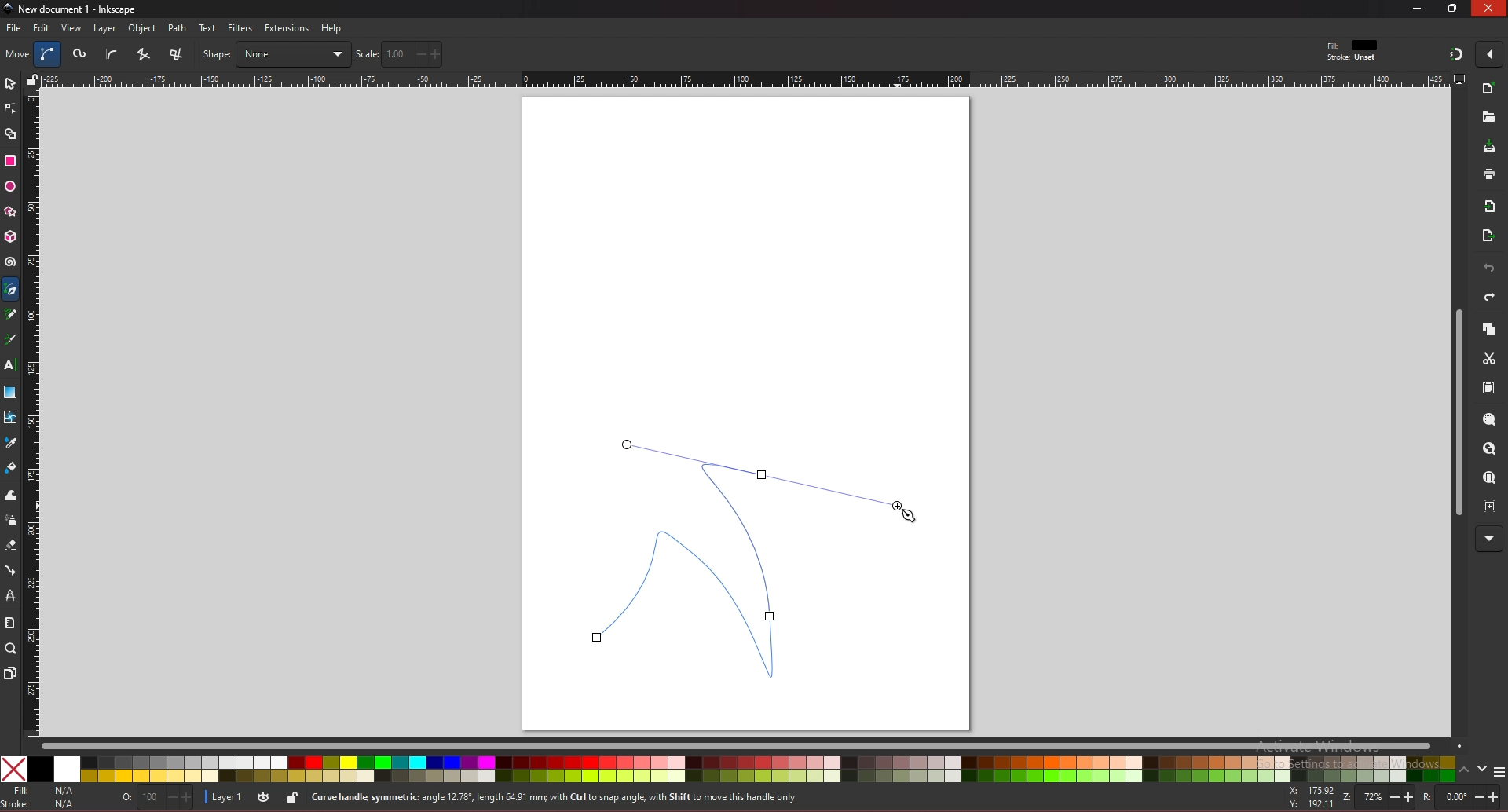  What do you see at coordinates (1499, 773) in the screenshot?
I see `more colors` at bounding box center [1499, 773].